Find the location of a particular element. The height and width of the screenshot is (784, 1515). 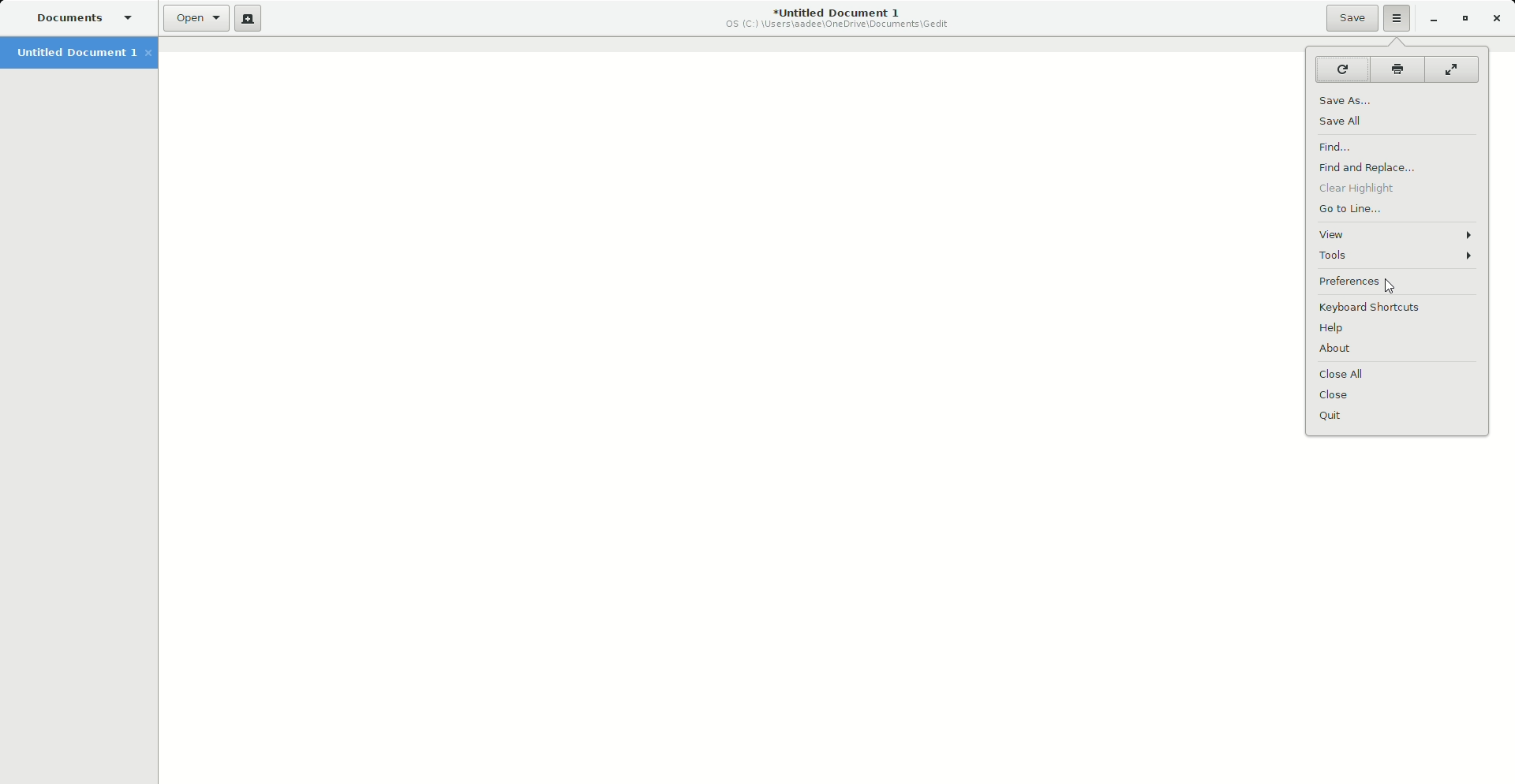

cursor is located at coordinates (1392, 287).